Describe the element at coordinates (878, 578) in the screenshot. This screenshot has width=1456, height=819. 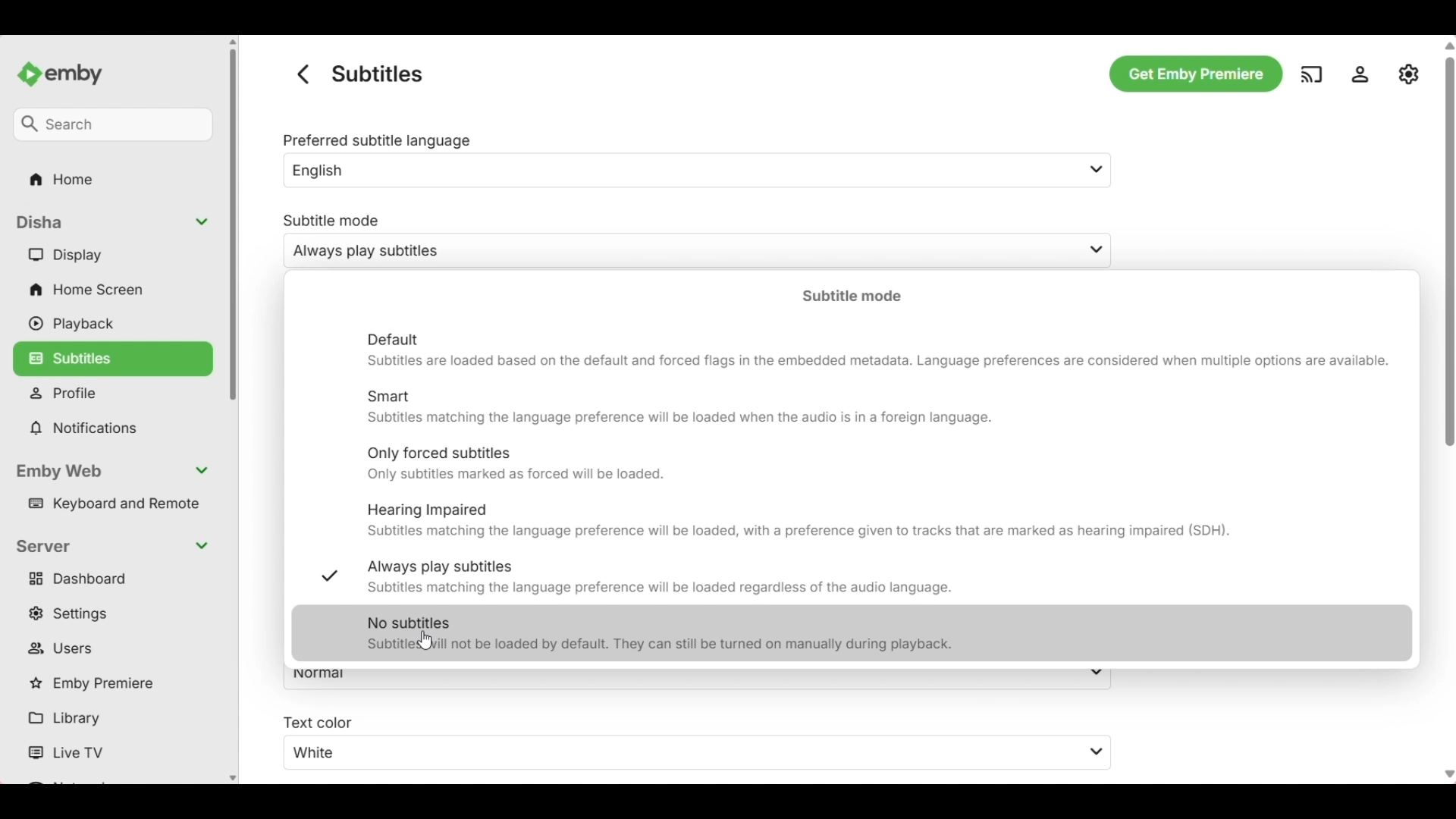
I see `Always play subtitles option and its description` at that location.